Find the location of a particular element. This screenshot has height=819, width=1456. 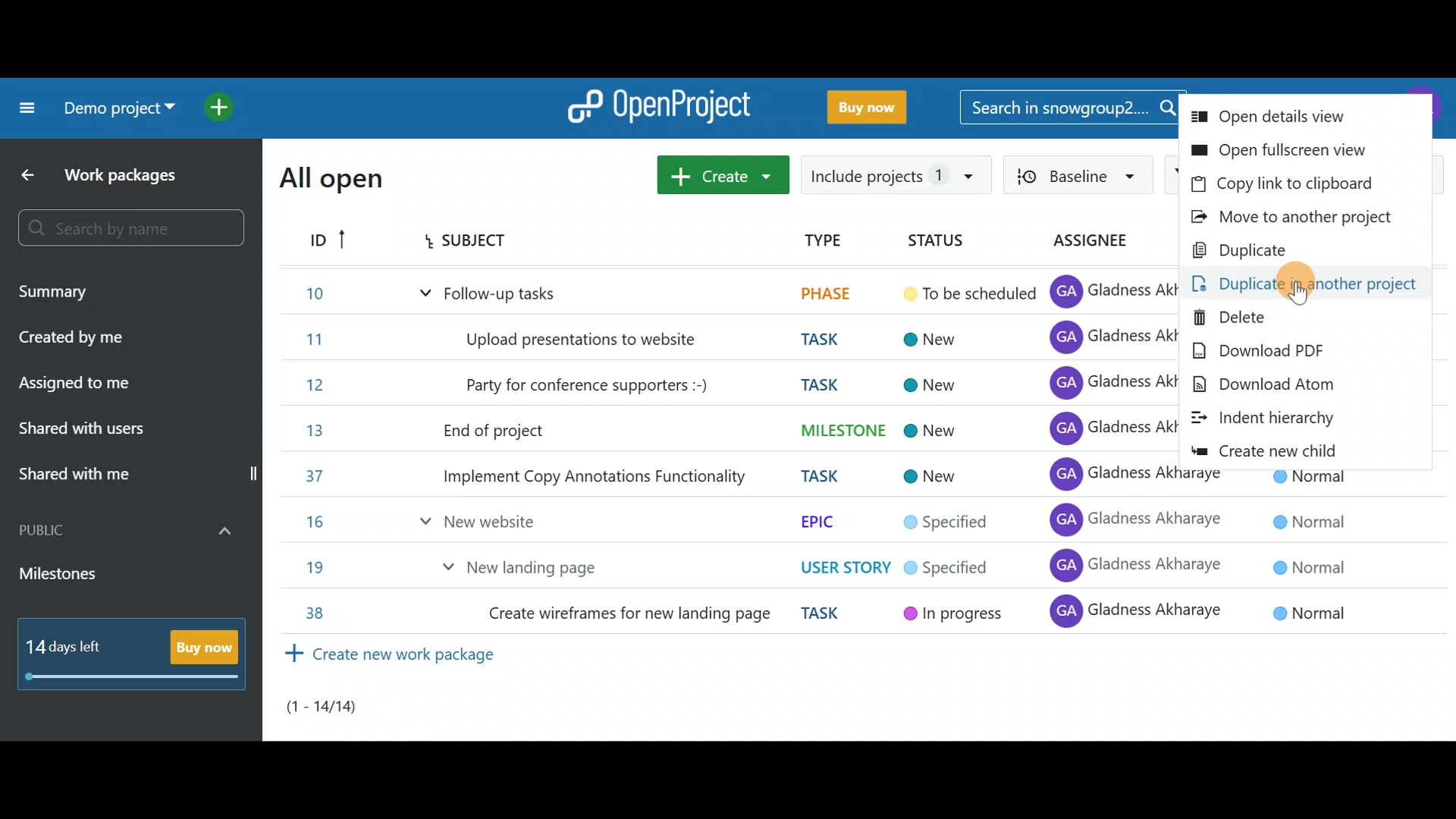

Collapse project menu is located at coordinates (24, 108).